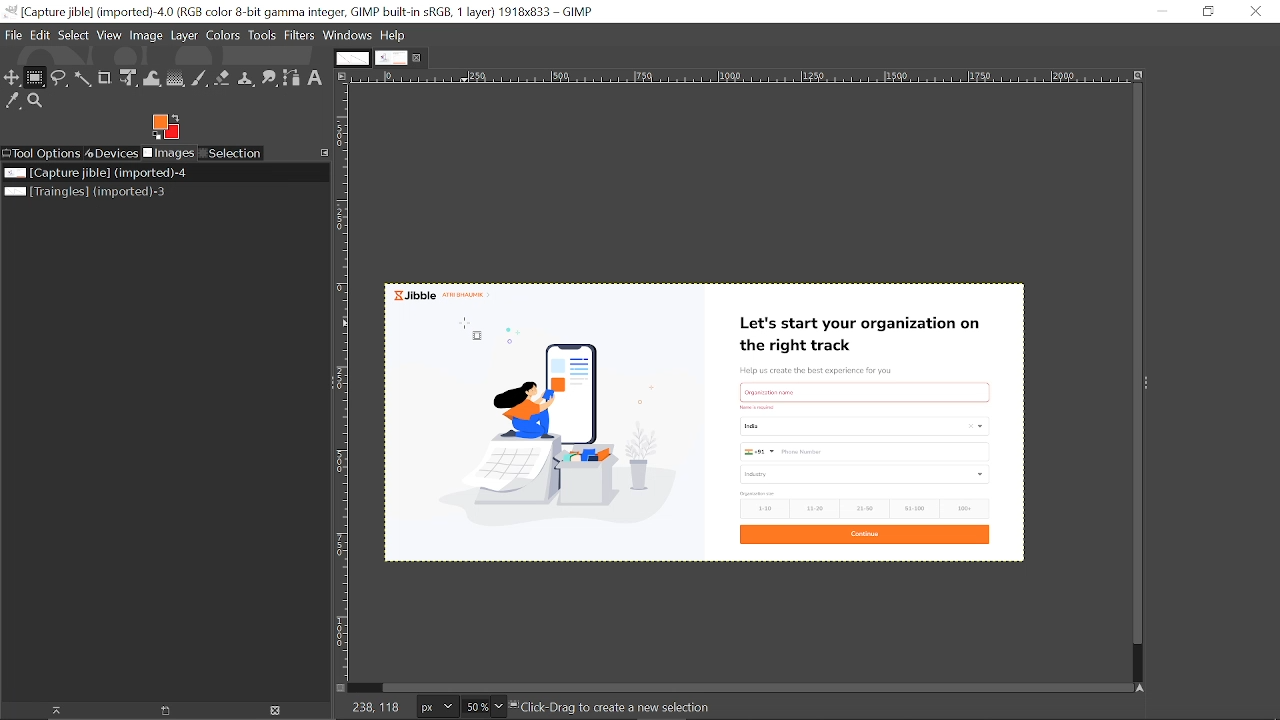 This screenshot has width=1280, height=720. I want to click on Navigate the image's display, so click(1142, 687).